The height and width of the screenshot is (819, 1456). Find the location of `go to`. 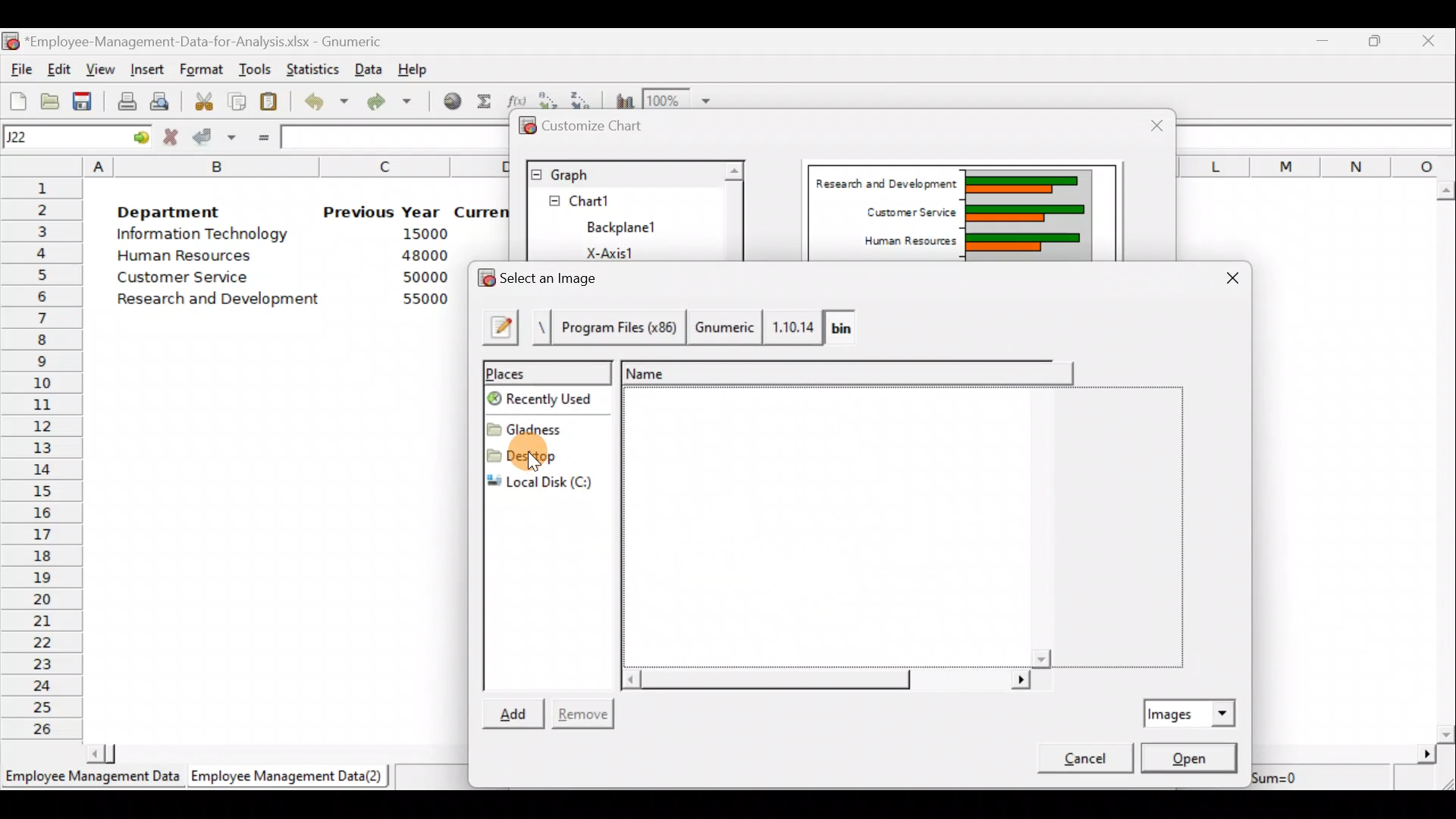

go to is located at coordinates (140, 137).